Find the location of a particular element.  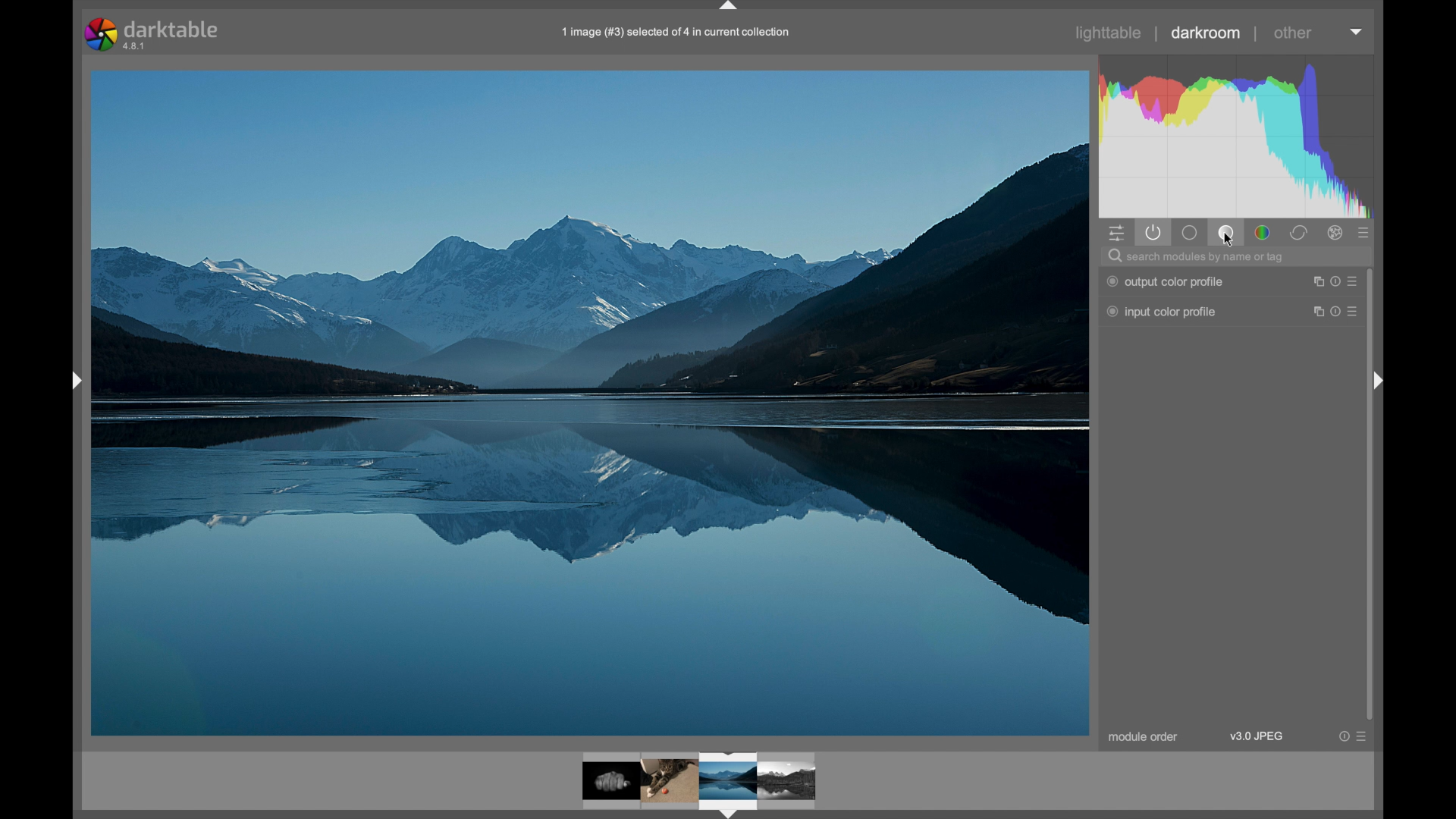

more options is located at coordinates (1354, 736).